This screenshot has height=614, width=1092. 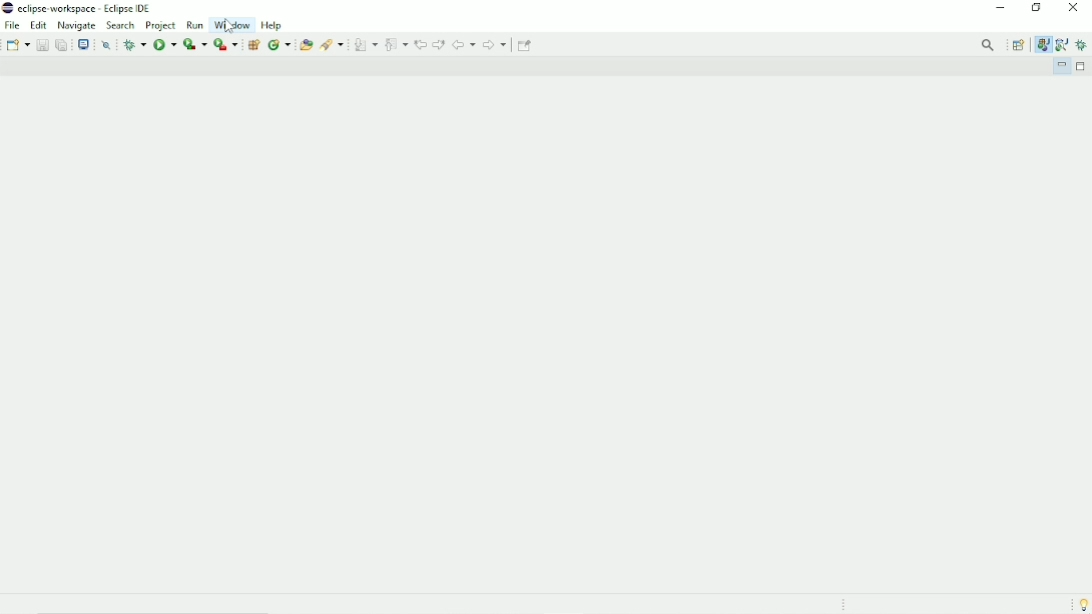 I want to click on Open Type, so click(x=305, y=44).